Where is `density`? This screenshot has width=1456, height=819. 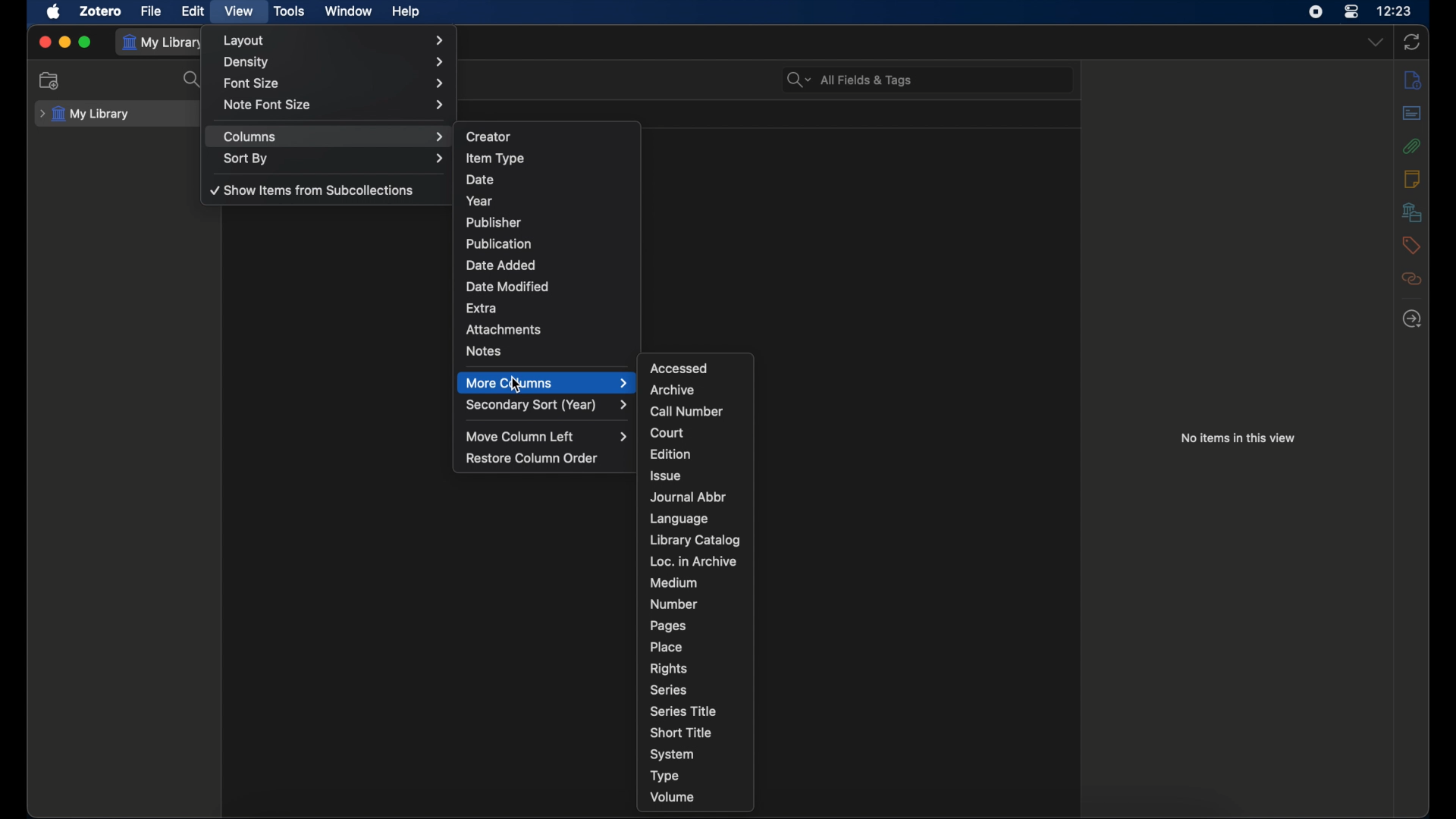
density is located at coordinates (335, 62).